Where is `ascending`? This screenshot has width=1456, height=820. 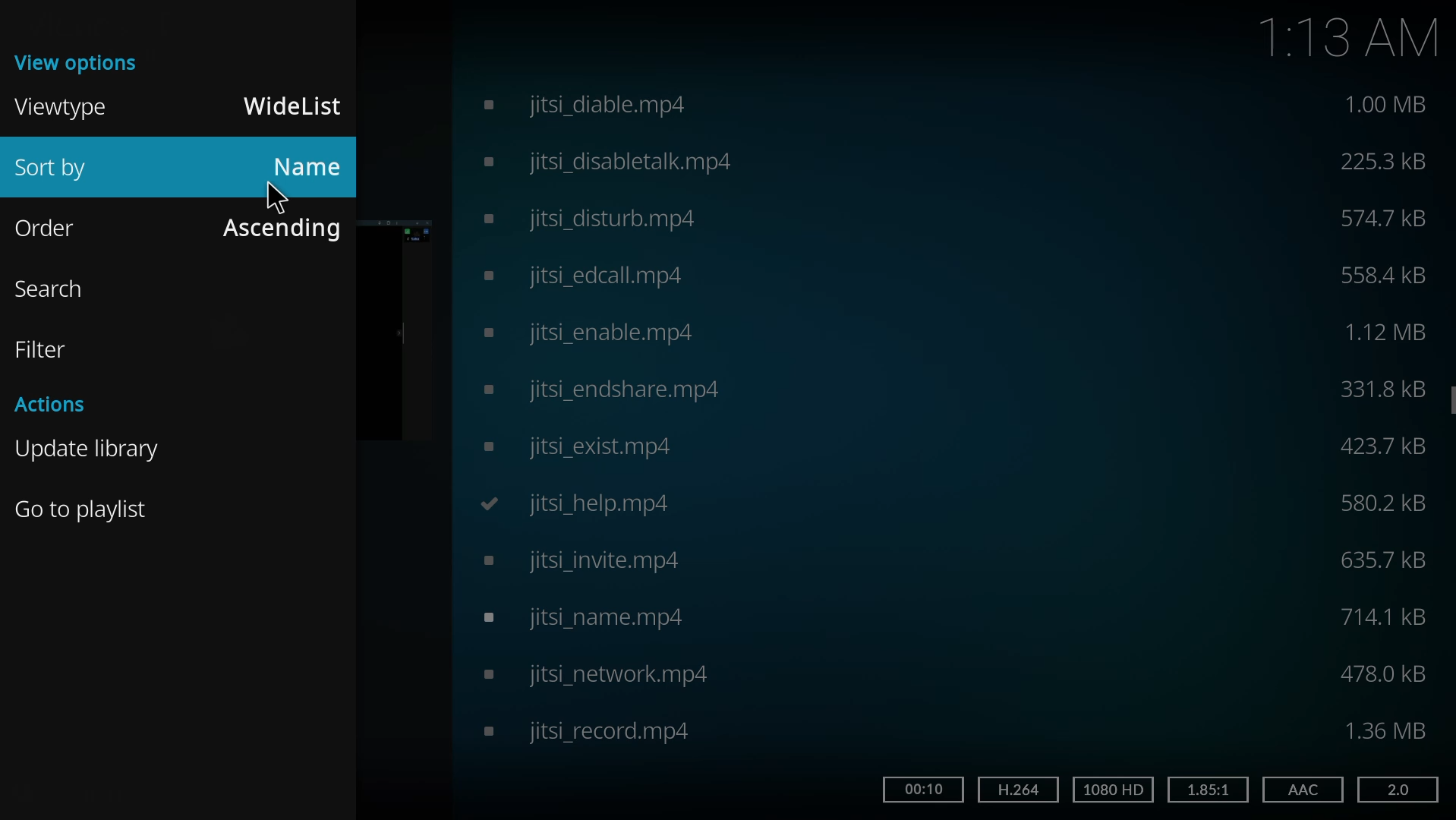
ascending is located at coordinates (284, 229).